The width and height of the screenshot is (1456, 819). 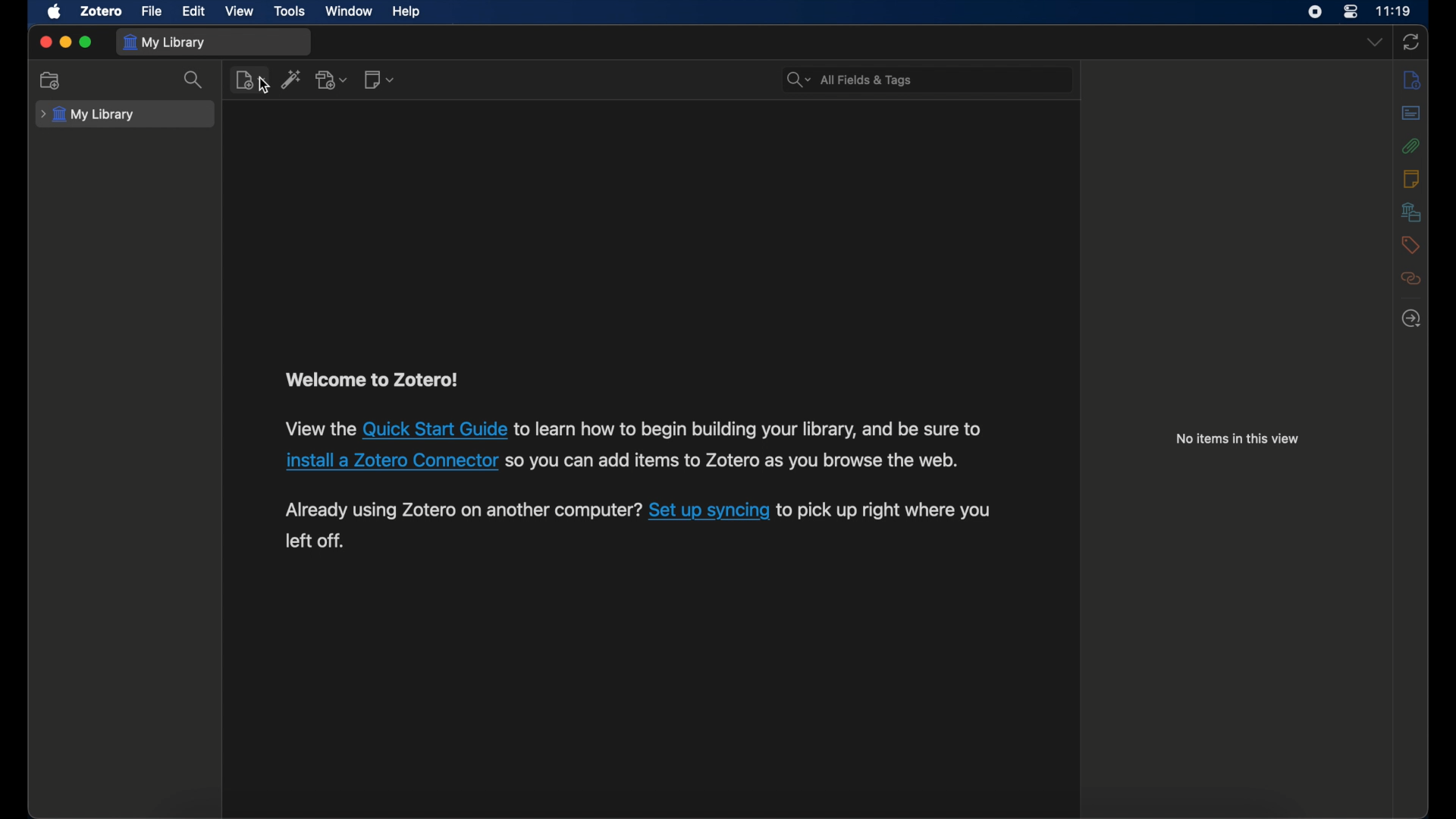 I want to click on abstract, so click(x=1412, y=113).